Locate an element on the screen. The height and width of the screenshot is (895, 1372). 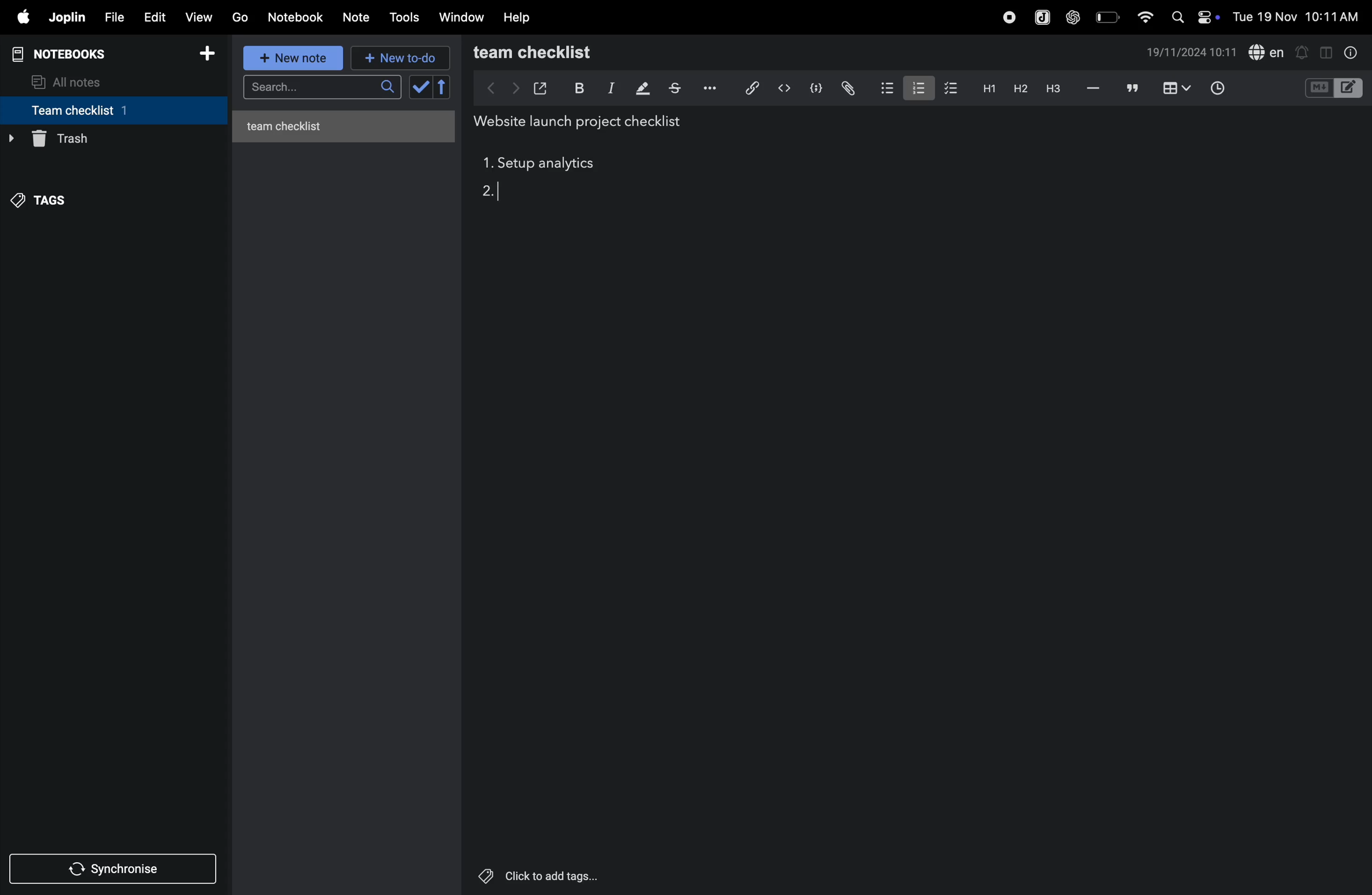
new note is located at coordinates (295, 59).